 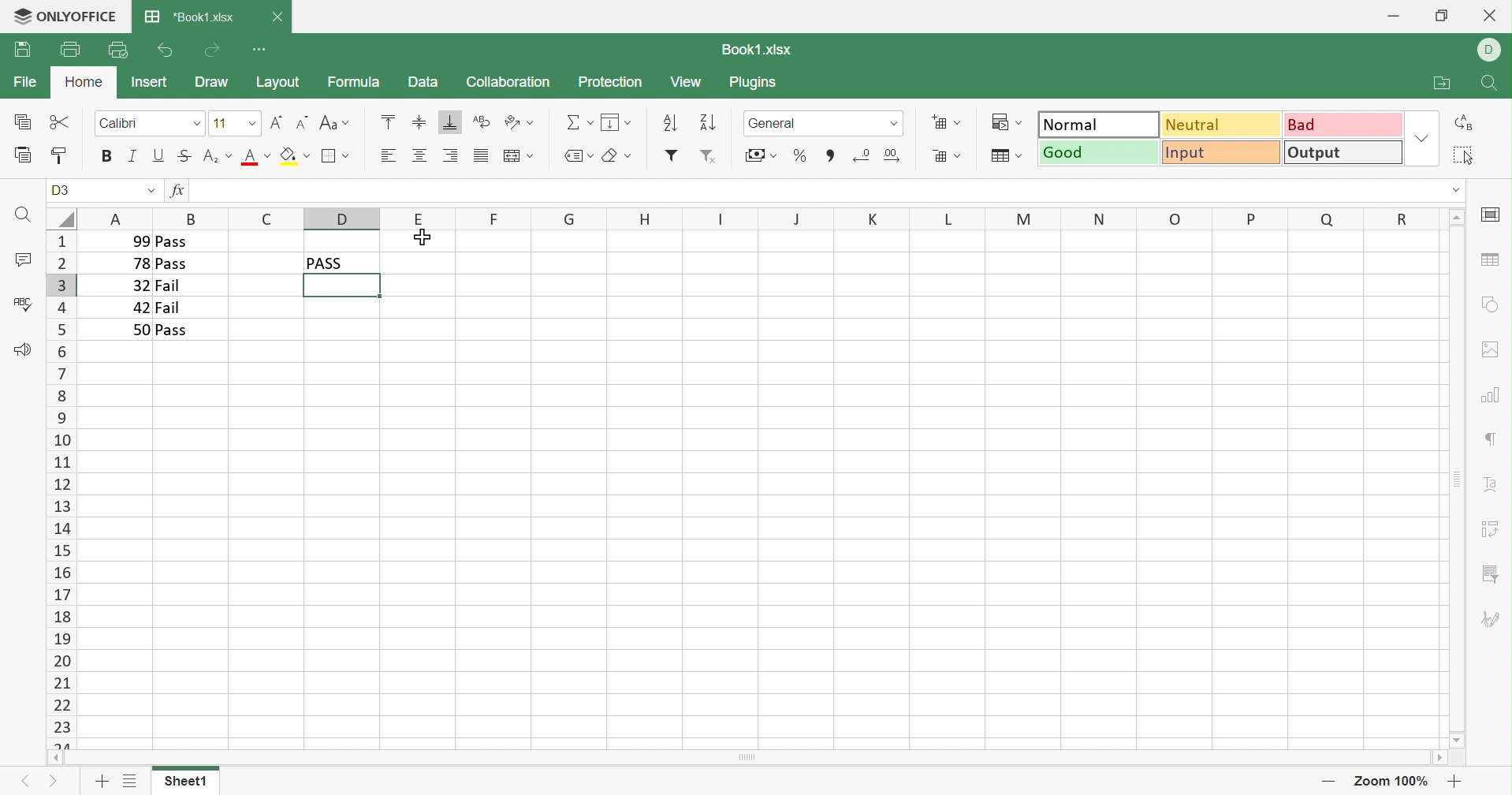 I want to click on Table settings, so click(x=1489, y=259).